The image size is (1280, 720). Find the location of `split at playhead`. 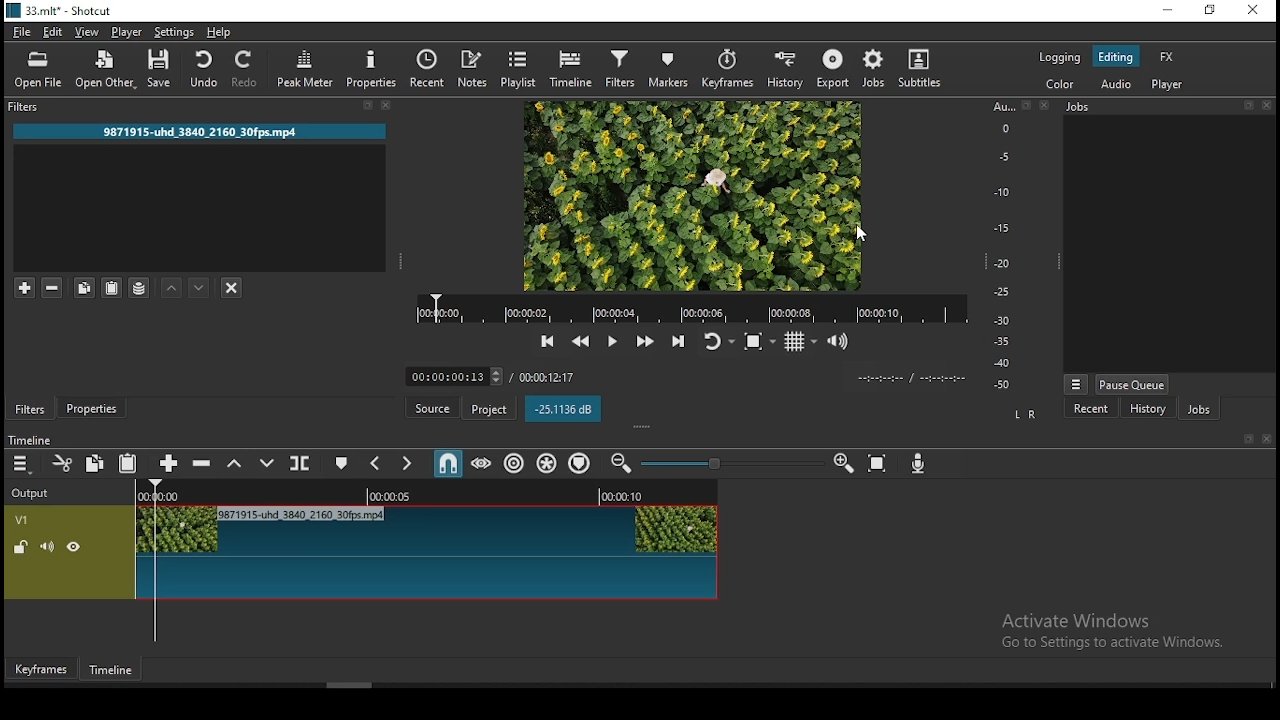

split at playhead is located at coordinates (302, 463).